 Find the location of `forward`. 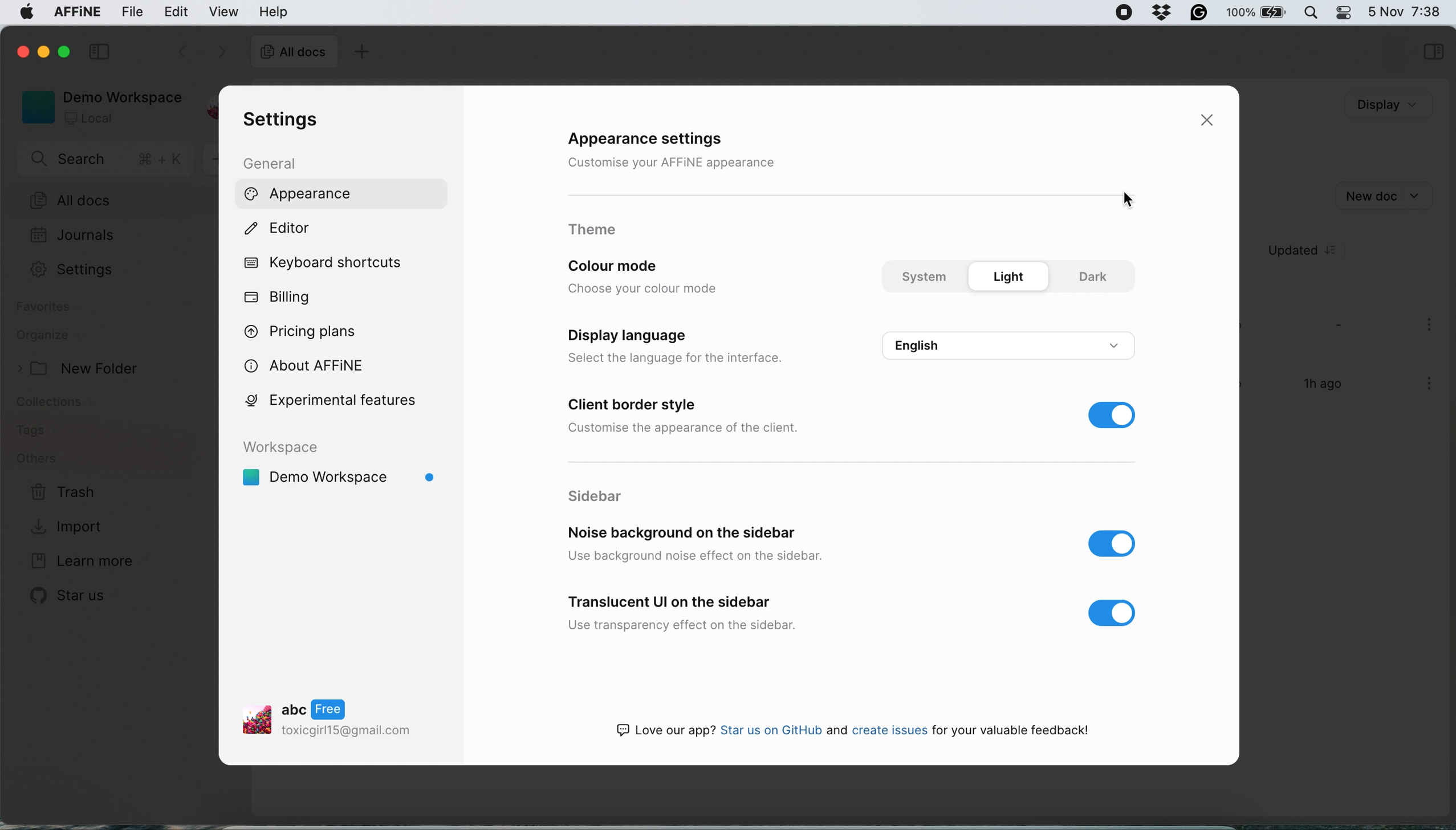

forward is located at coordinates (218, 53).